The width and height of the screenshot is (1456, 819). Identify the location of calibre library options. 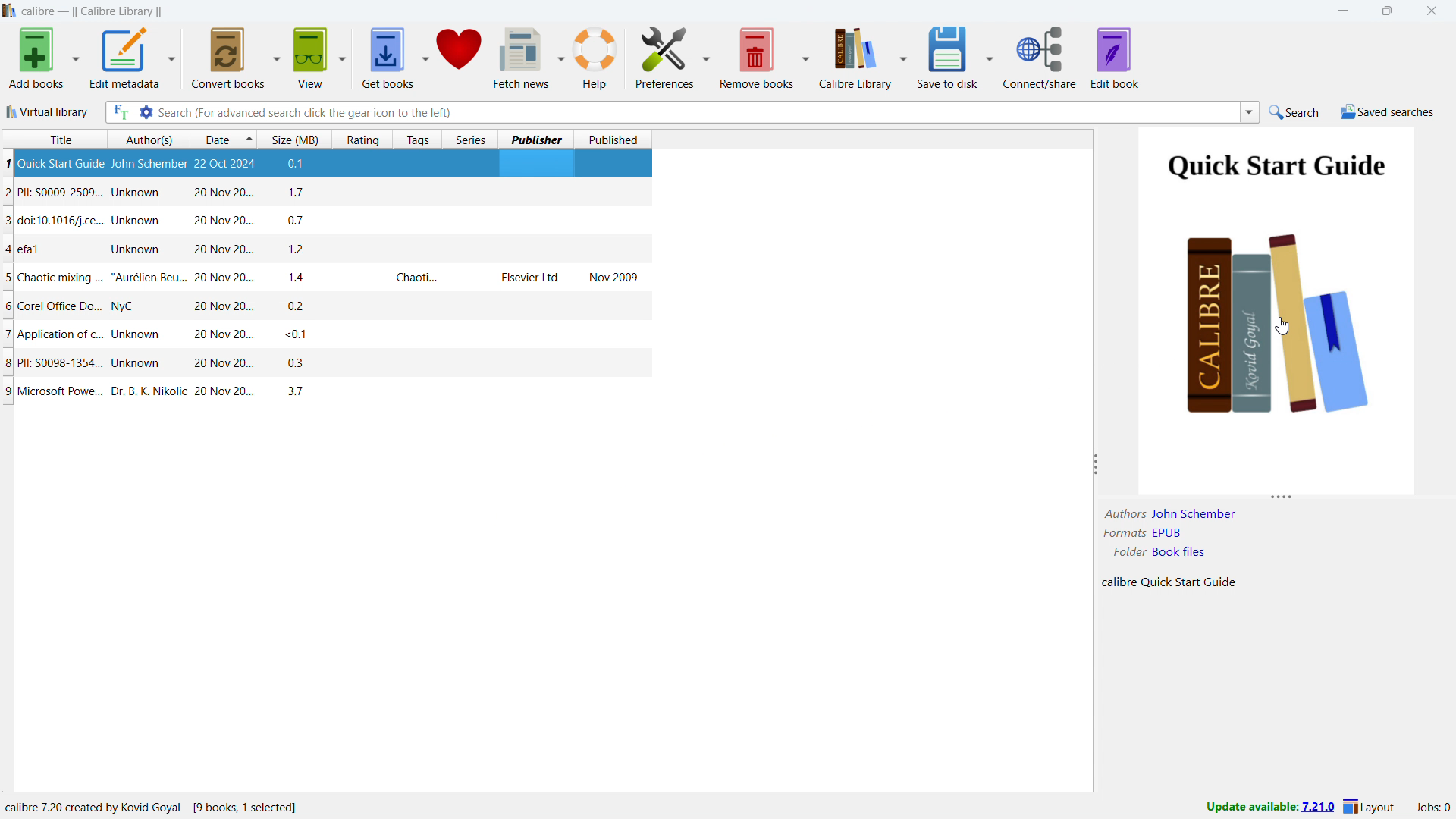
(902, 55).